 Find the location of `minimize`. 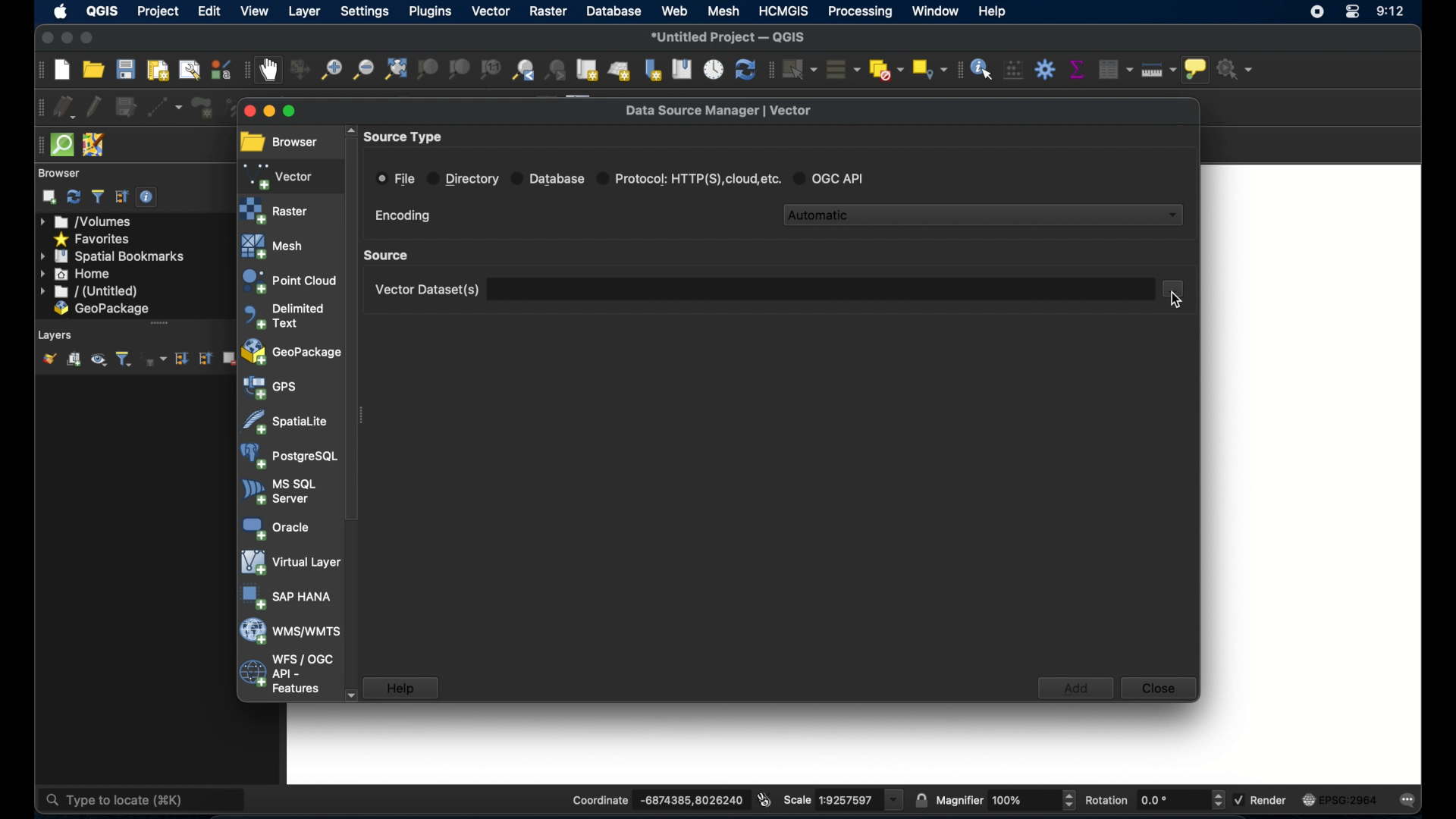

minimize is located at coordinates (67, 39).